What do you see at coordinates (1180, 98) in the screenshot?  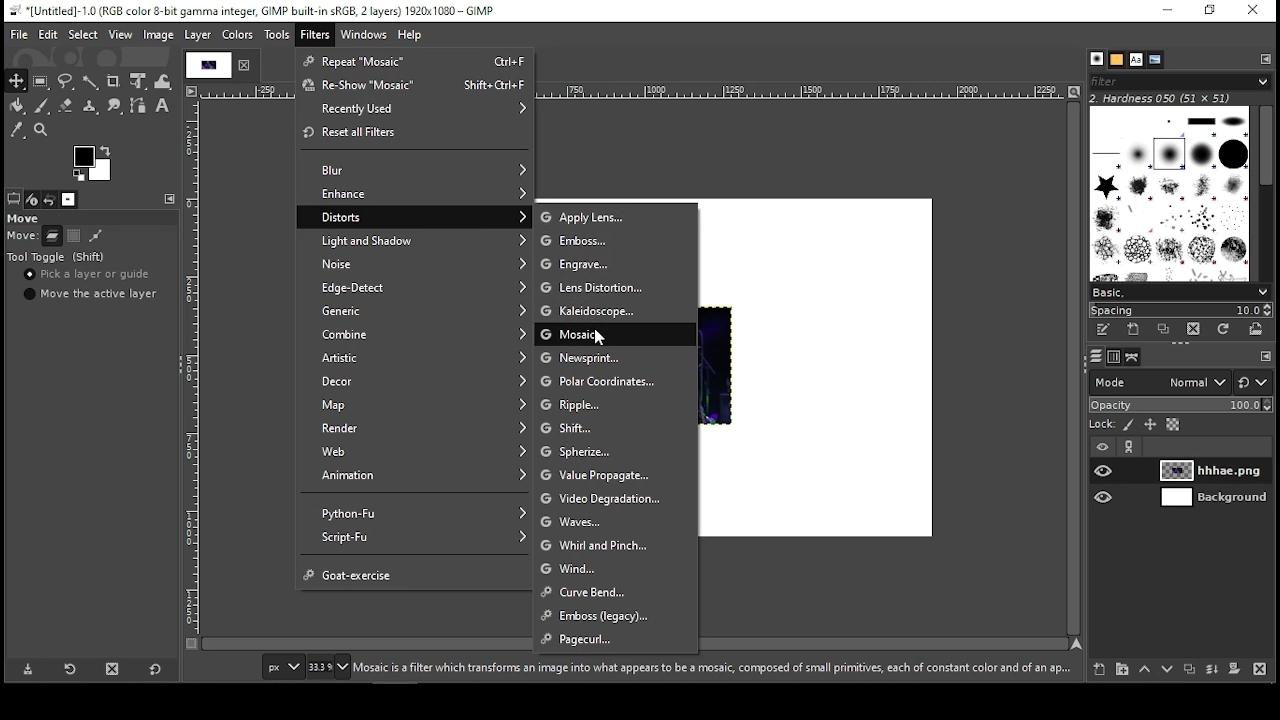 I see `2. hardness 050 (51x51)` at bounding box center [1180, 98].